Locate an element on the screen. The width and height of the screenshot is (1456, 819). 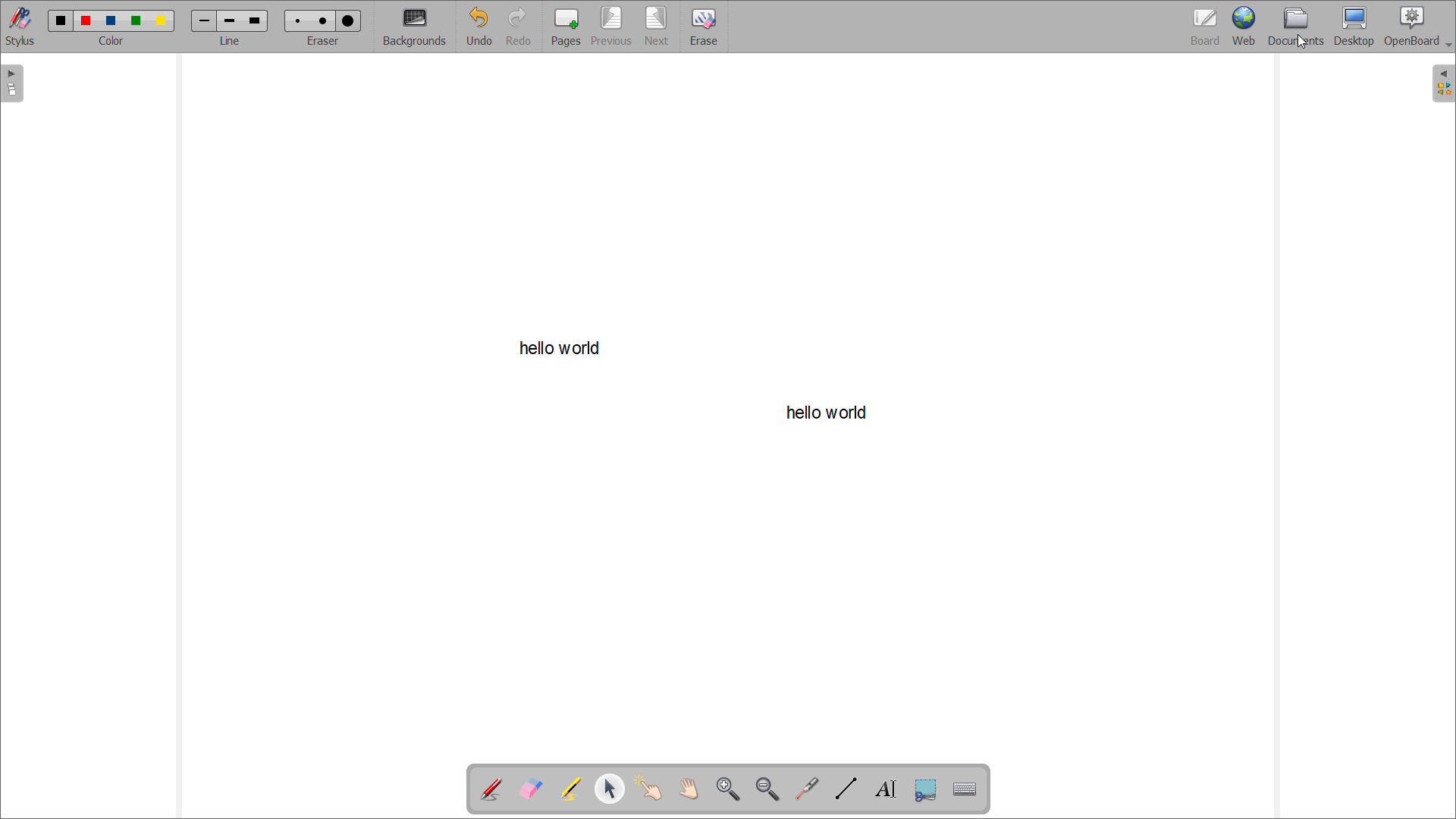
open folders view is located at coordinates (1442, 83).